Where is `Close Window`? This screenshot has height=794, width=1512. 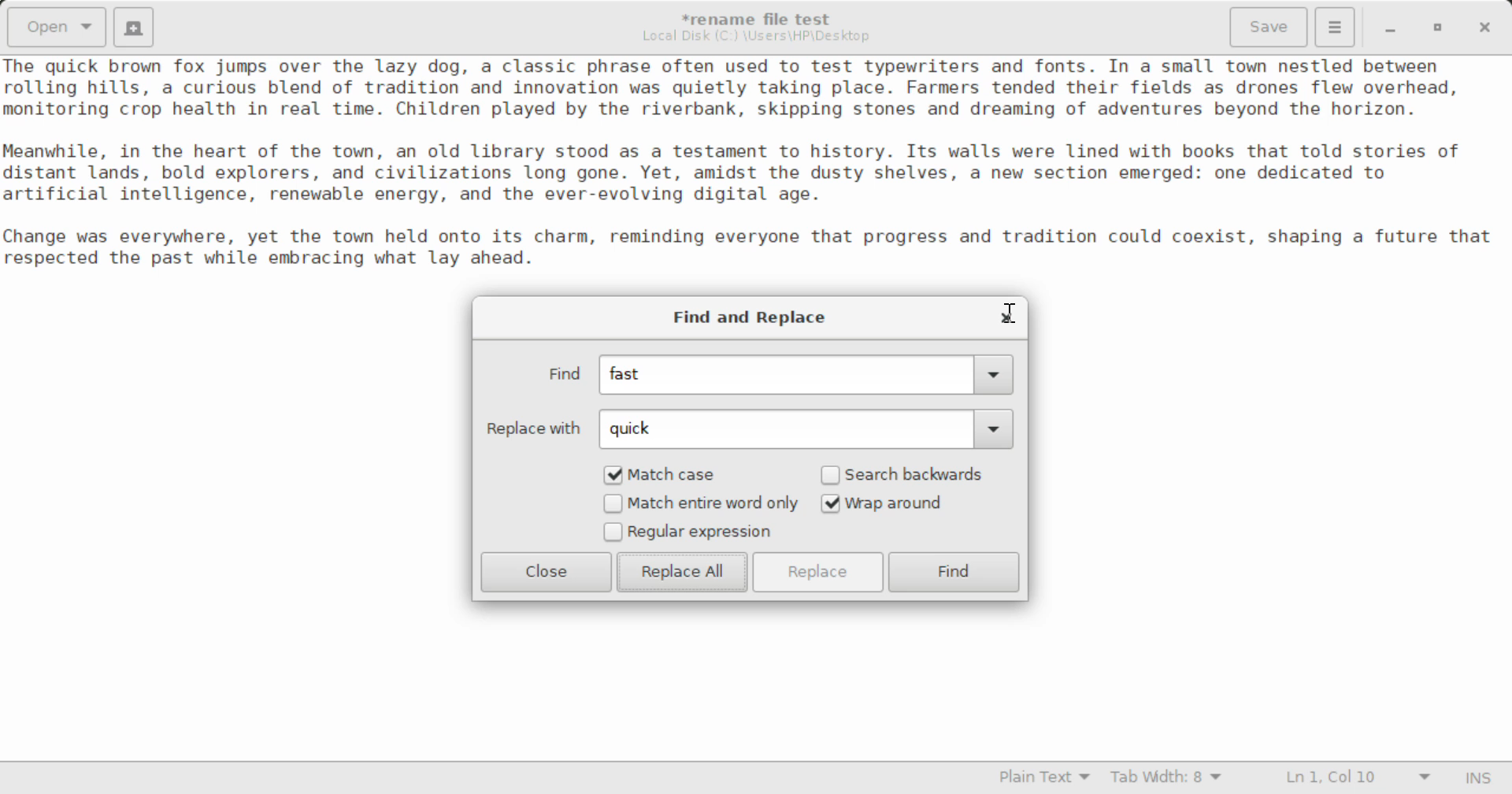
Close Window is located at coordinates (1482, 27).